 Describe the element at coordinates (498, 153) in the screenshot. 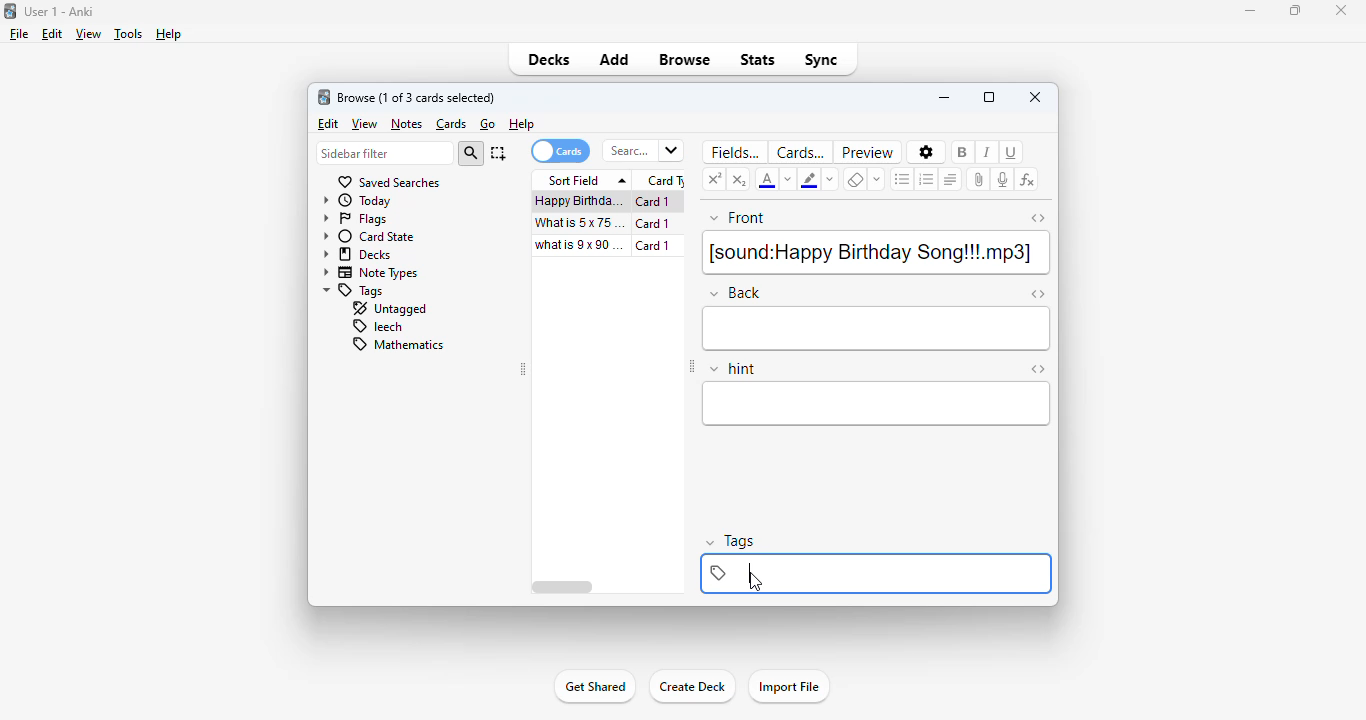

I see `select` at that location.